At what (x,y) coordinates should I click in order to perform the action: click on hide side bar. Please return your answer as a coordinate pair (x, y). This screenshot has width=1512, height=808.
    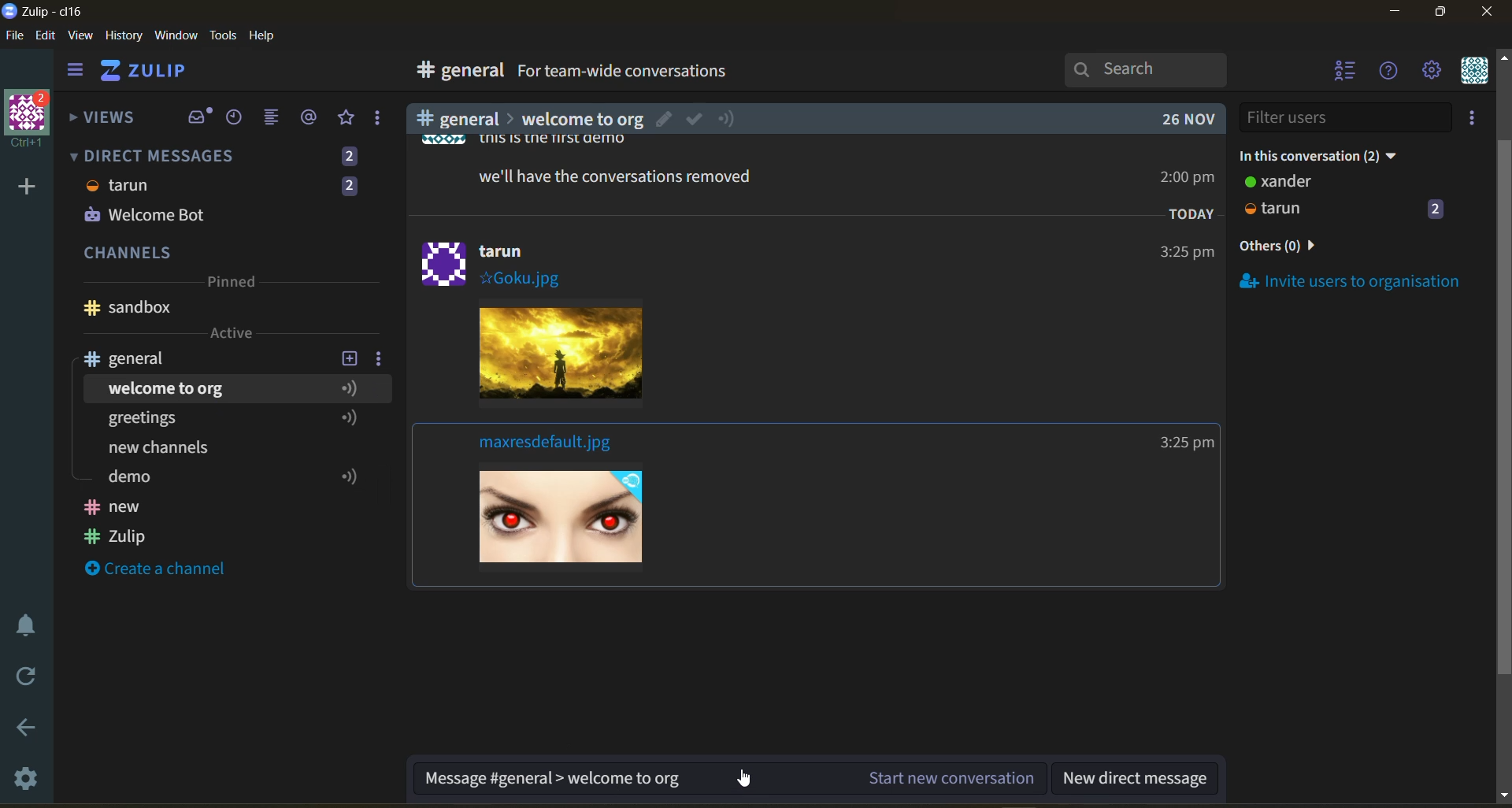
    Looking at the image, I should click on (75, 73).